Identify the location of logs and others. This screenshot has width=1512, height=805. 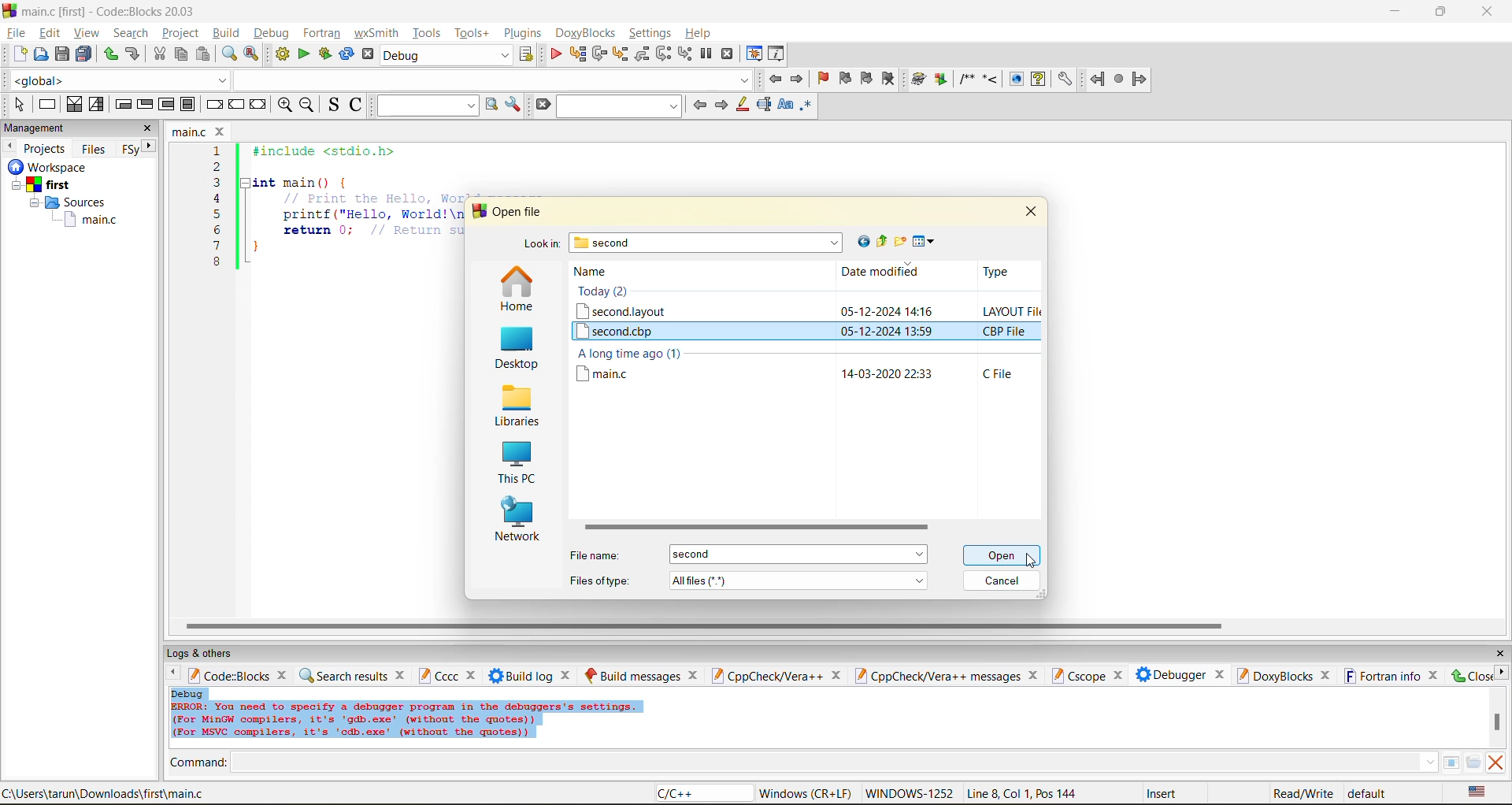
(210, 653).